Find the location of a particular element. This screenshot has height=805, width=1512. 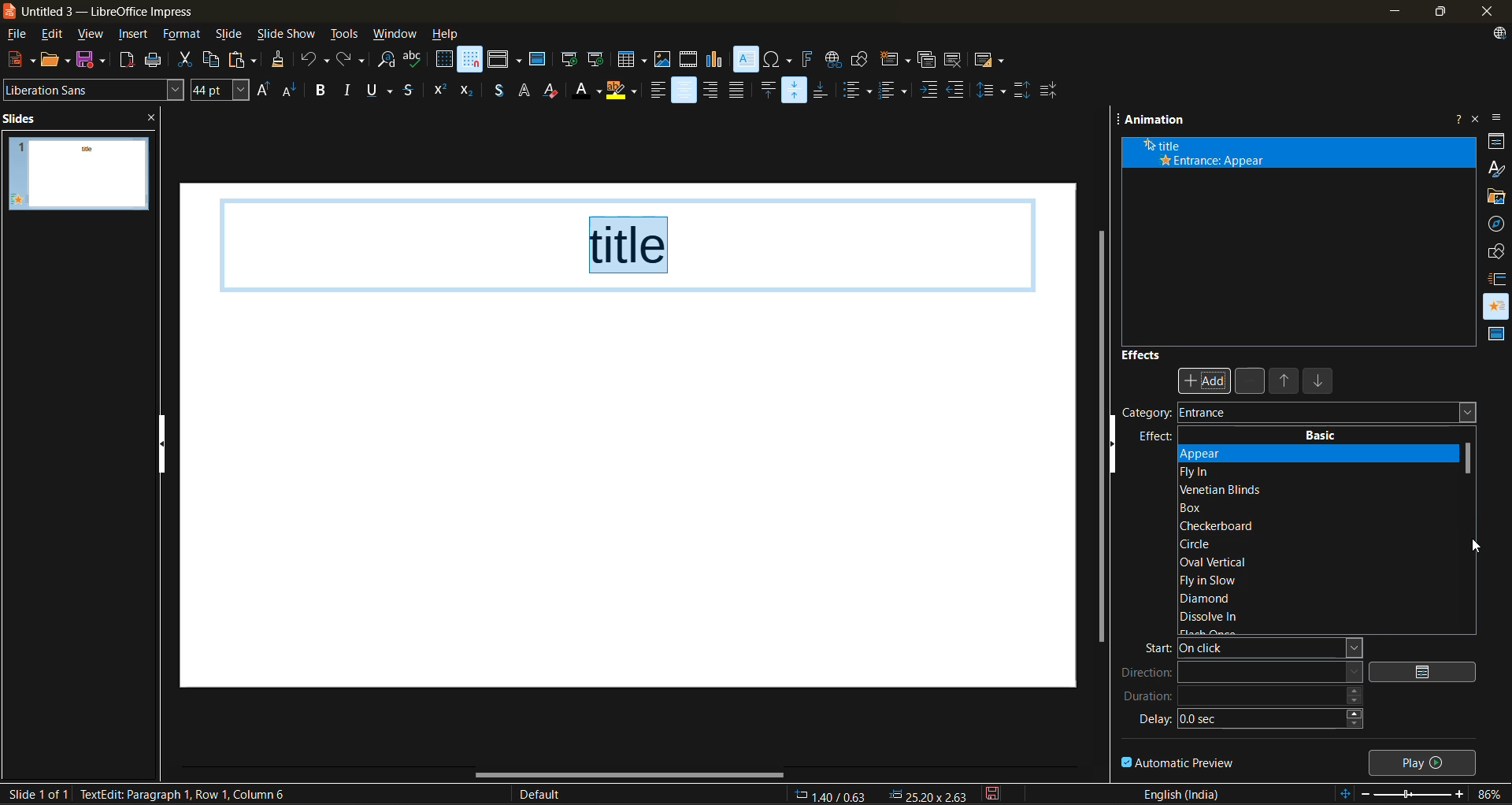

add is located at coordinates (1206, 380).